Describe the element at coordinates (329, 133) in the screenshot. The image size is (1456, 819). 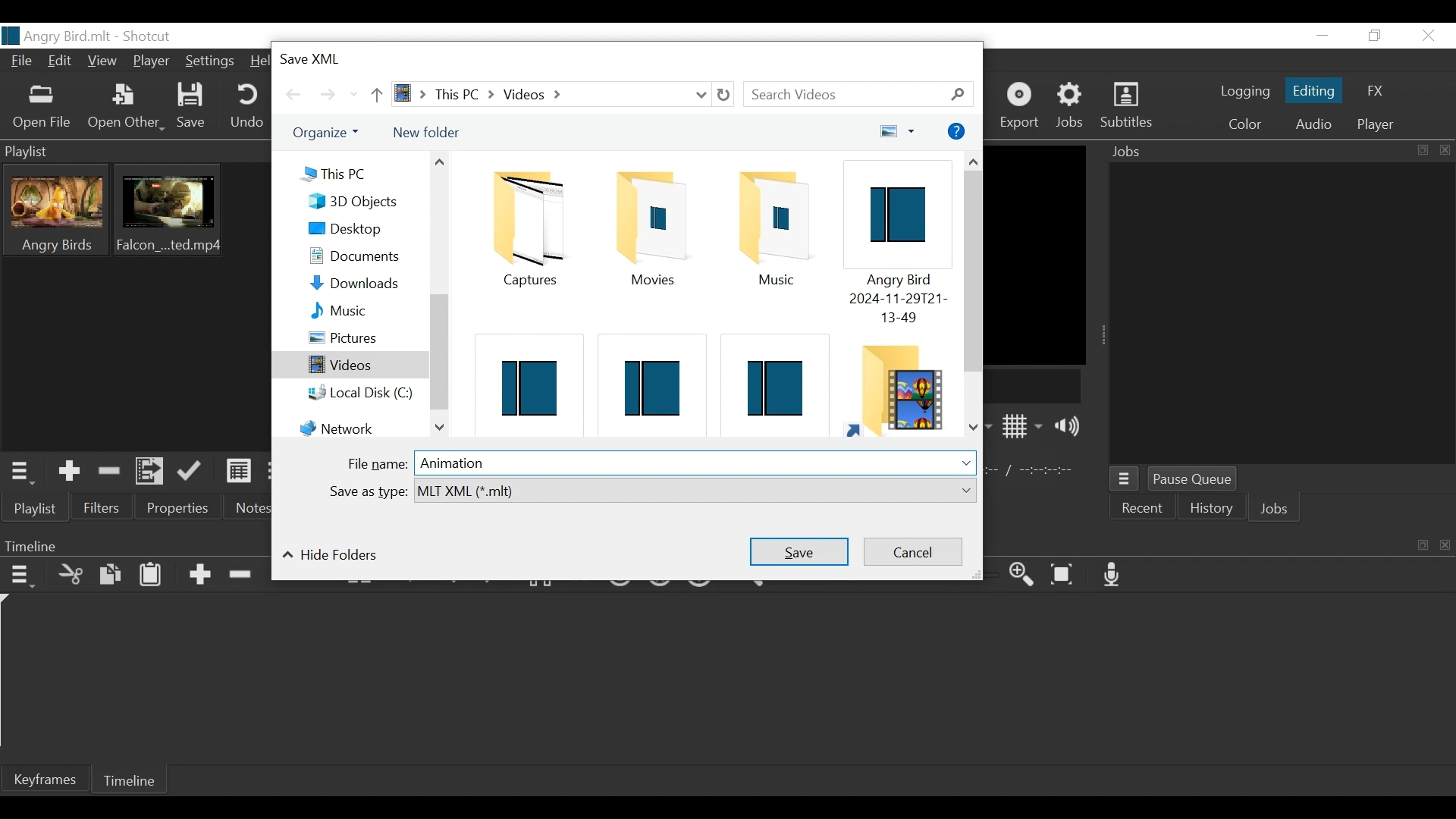
I see `Organize` at that location.